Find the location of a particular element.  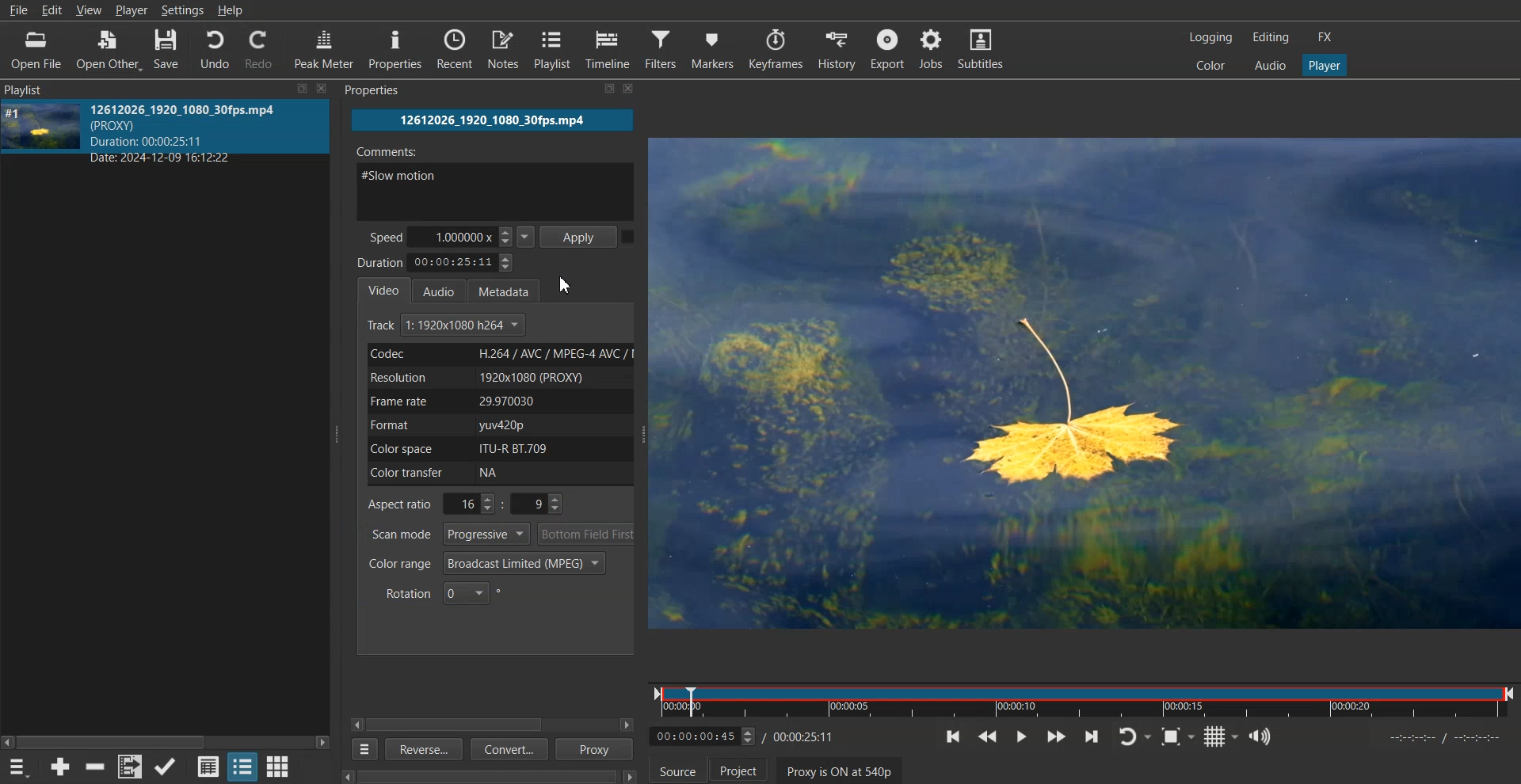

Apply is located at coordinates (581, 235).